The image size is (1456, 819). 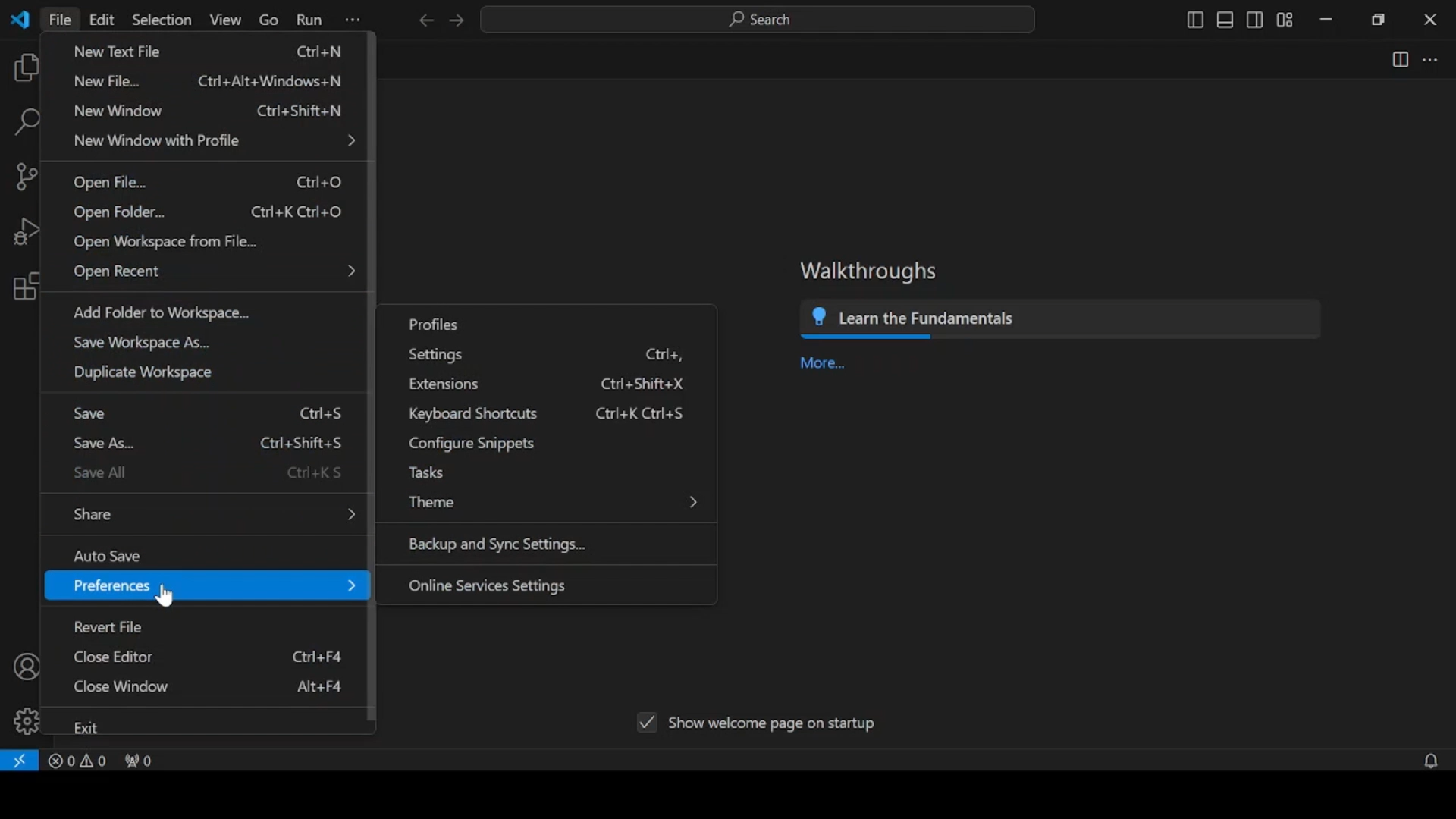 I want to click on open recent menu, so click(x=215, y=271).